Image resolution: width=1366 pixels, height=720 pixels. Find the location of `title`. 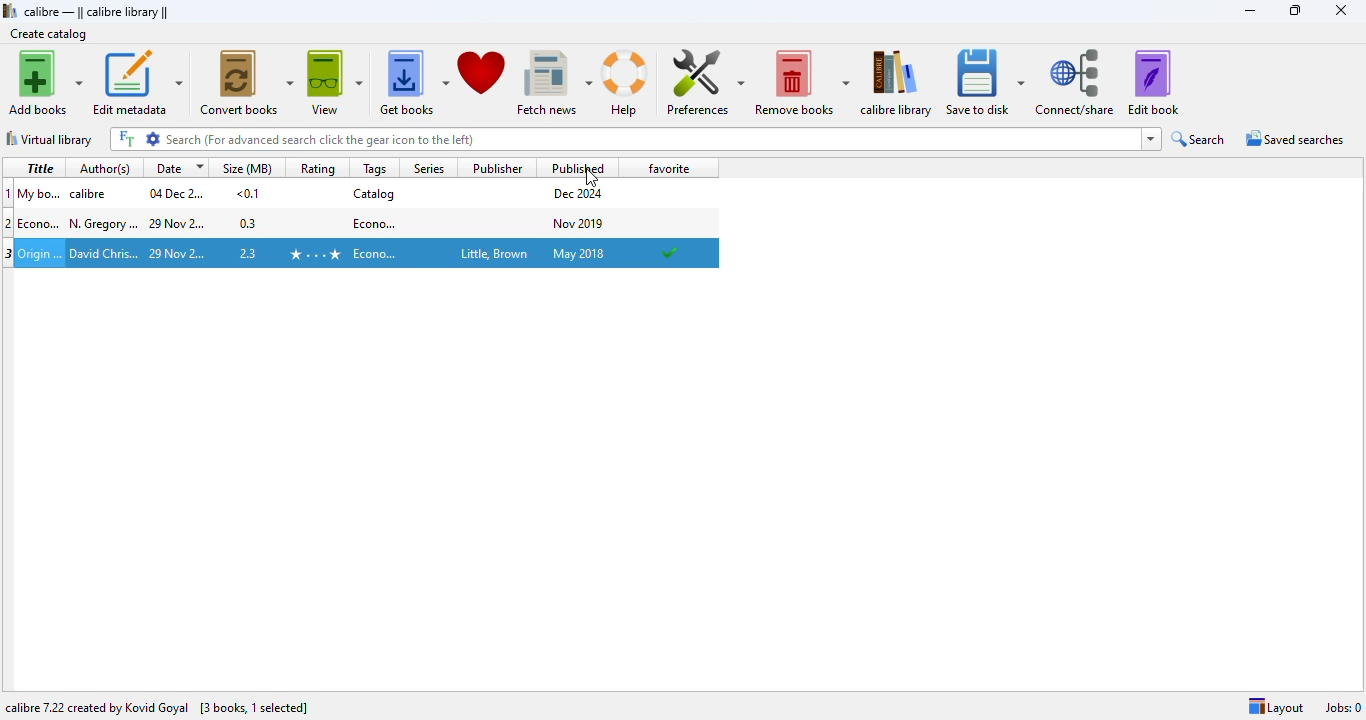

title is located at coordinates (40, 167).